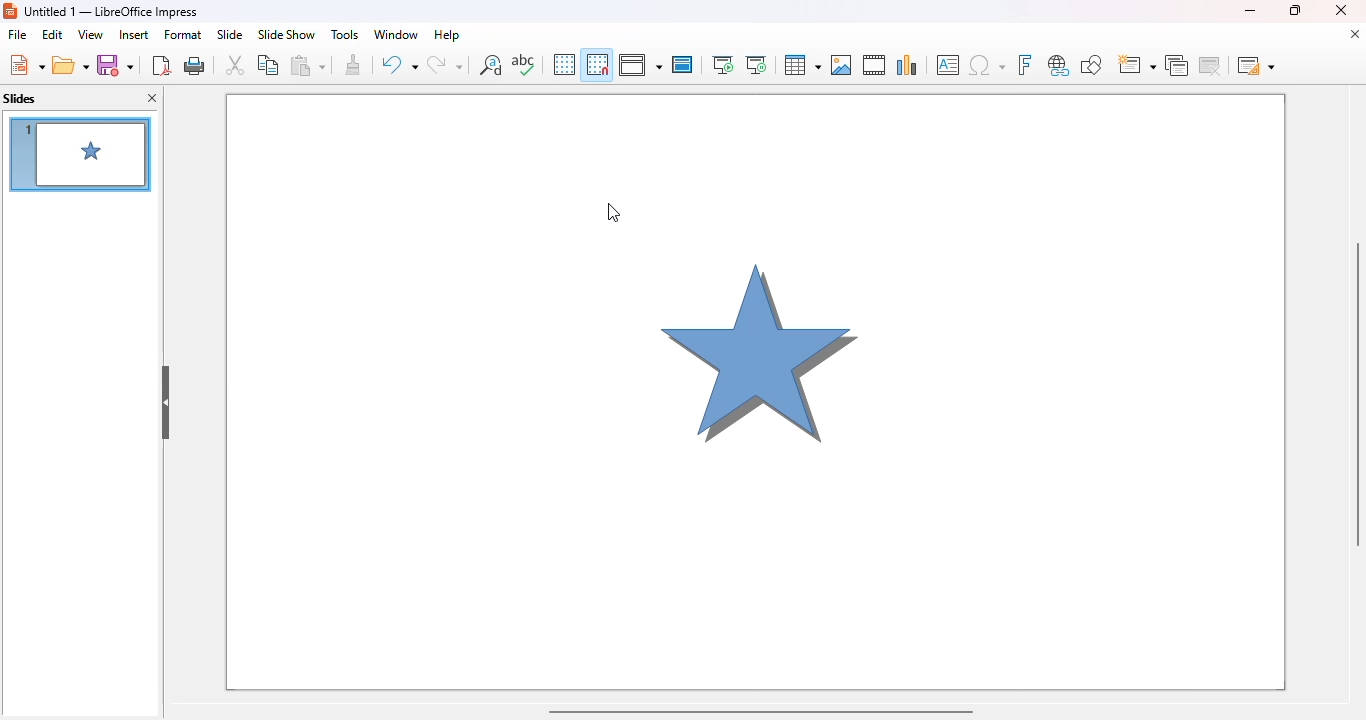  Describe the element at coordinates (111, 11) in the screenshot. I see `Untitled 1- Libreoffice impress` at that location.